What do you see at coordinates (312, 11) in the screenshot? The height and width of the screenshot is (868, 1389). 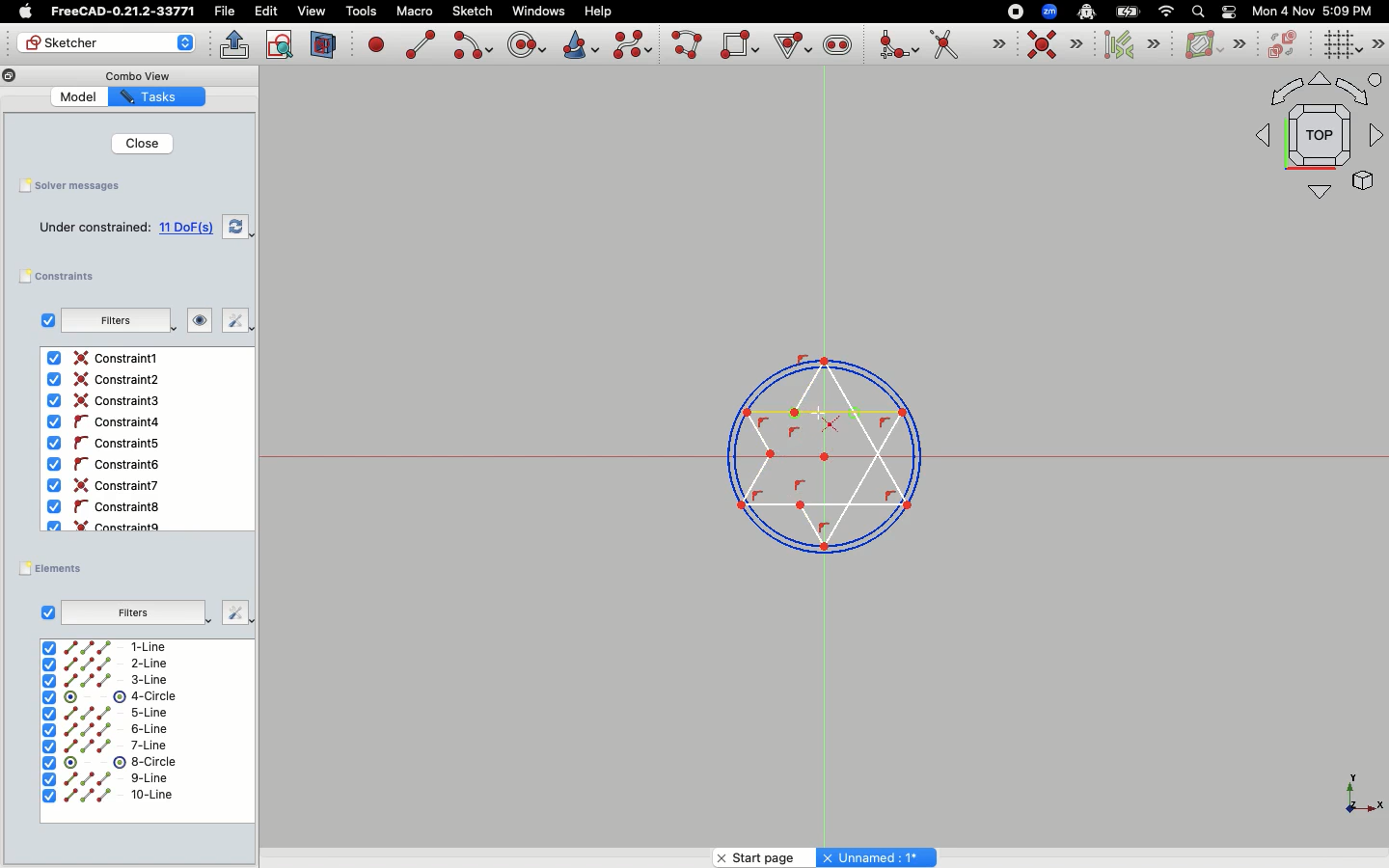 I see `view` at bounding box center [312, 11].